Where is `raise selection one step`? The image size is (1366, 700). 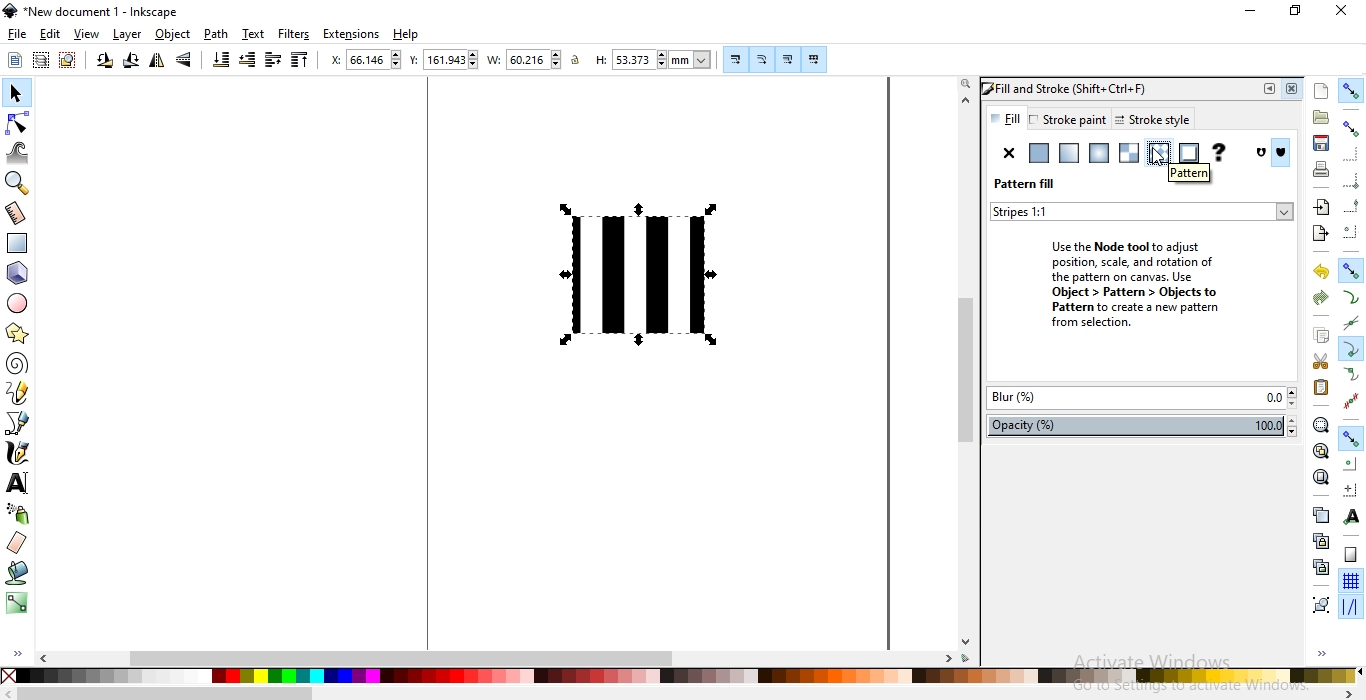
raise selection one step is located at coordinates (273, 60).